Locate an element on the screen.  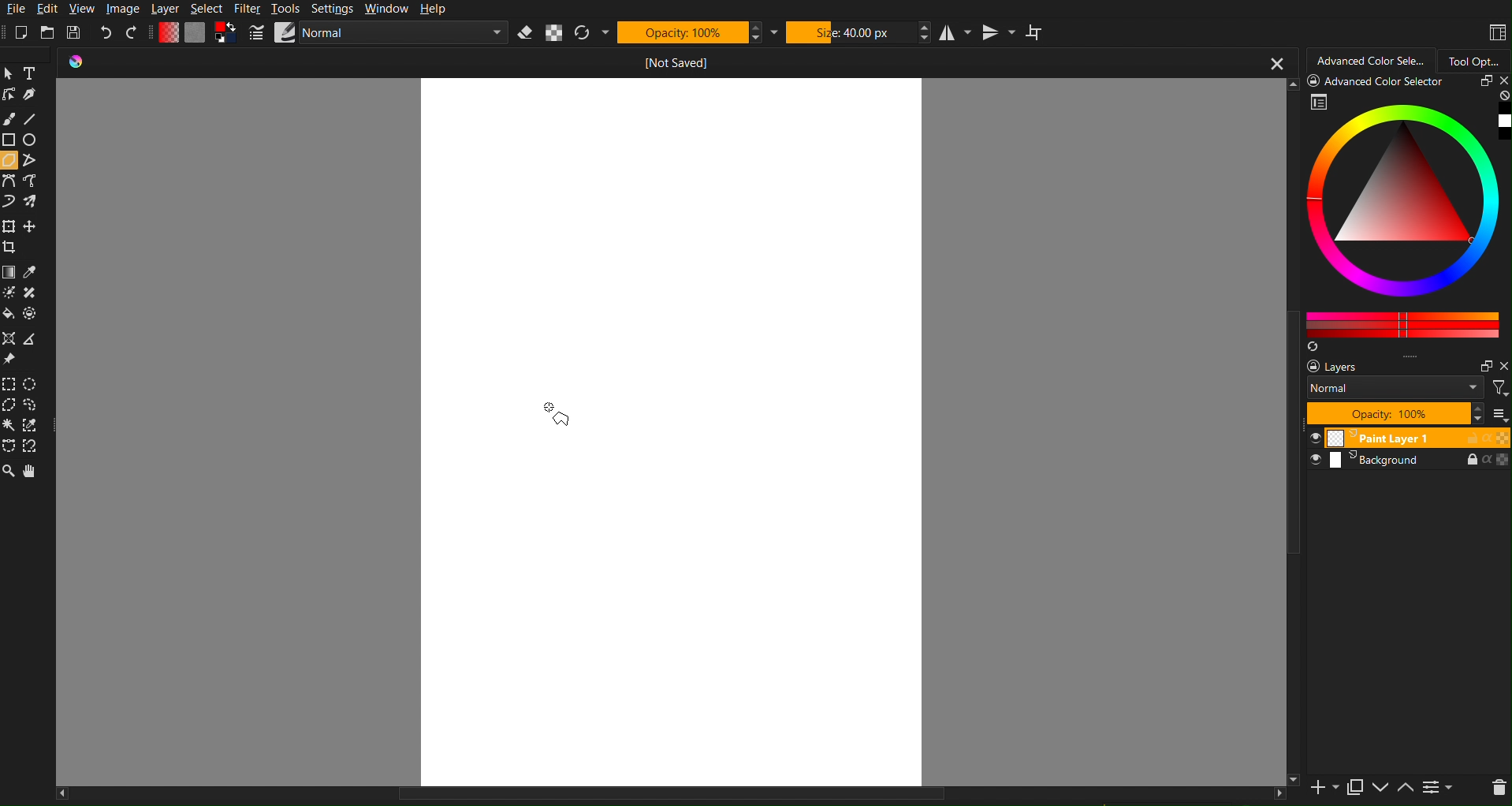
rectangle tool is located at coordinates (9, 140).